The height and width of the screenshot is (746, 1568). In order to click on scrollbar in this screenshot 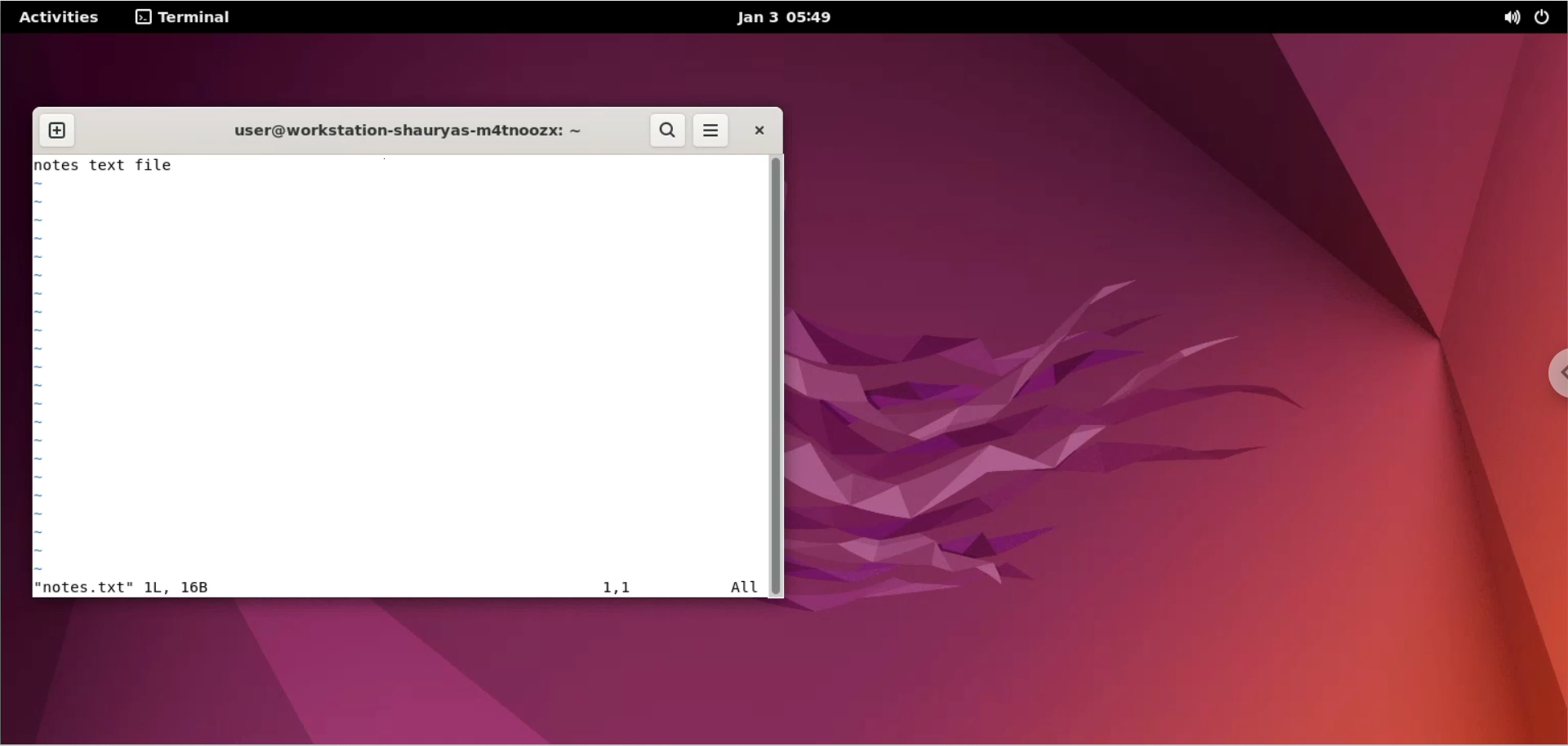, I will do `click(777, 375)`.